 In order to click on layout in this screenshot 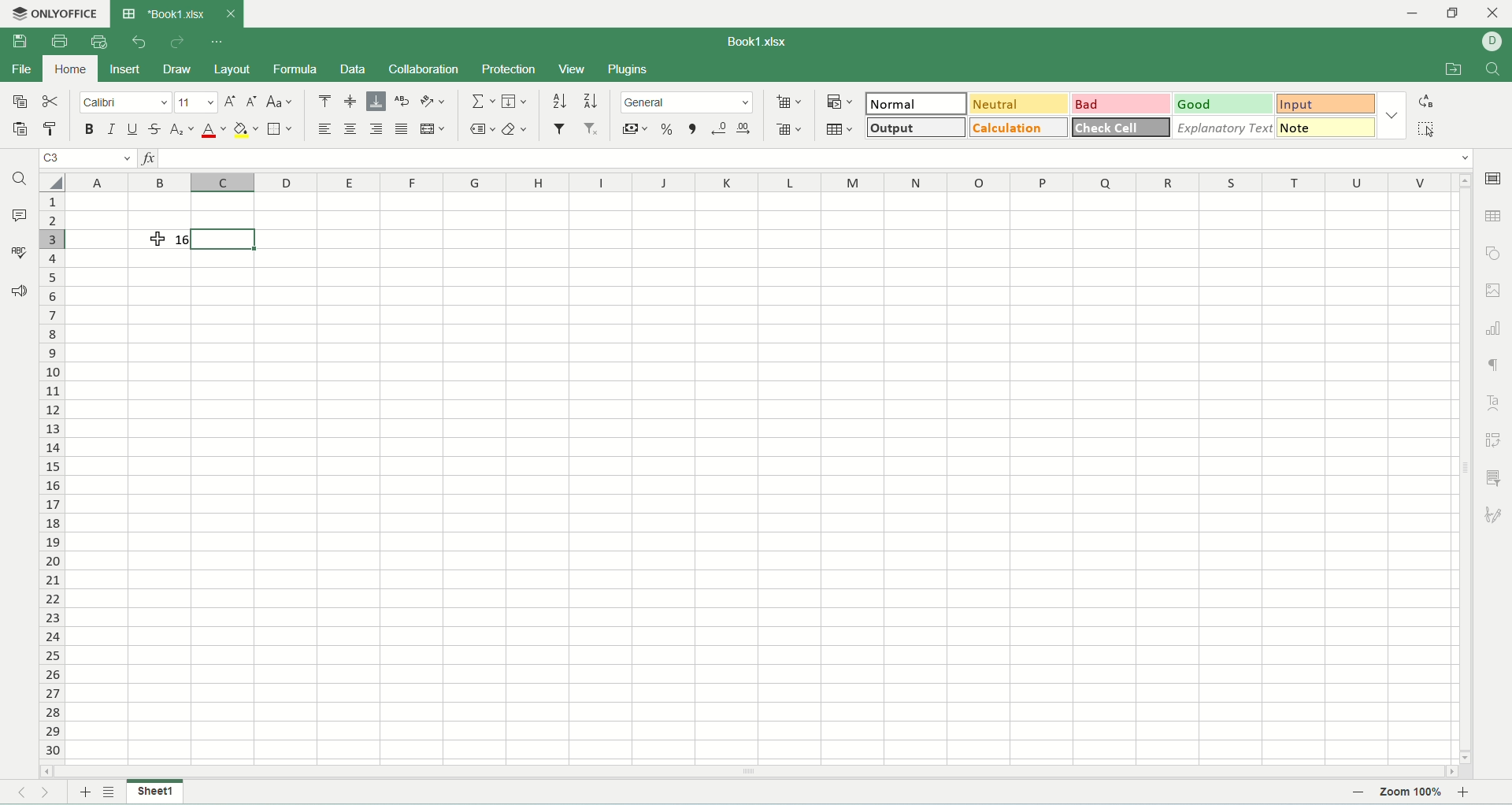, I will do `click(232, 71)`.